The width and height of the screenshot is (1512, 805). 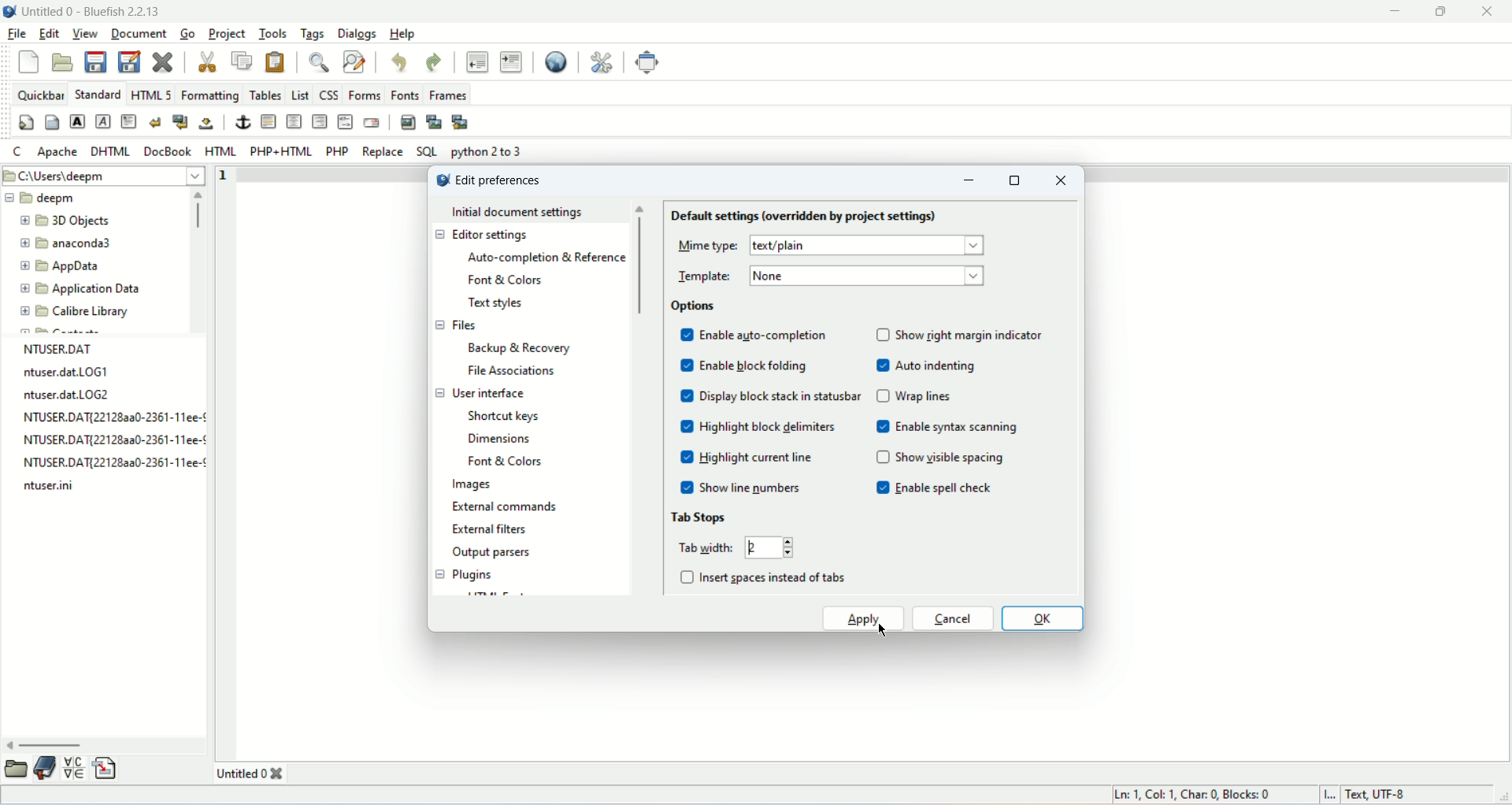 What do you see at coordinates (358, 33) in the screenshot?
I see `dialogs` at bounding box center [358, 33].